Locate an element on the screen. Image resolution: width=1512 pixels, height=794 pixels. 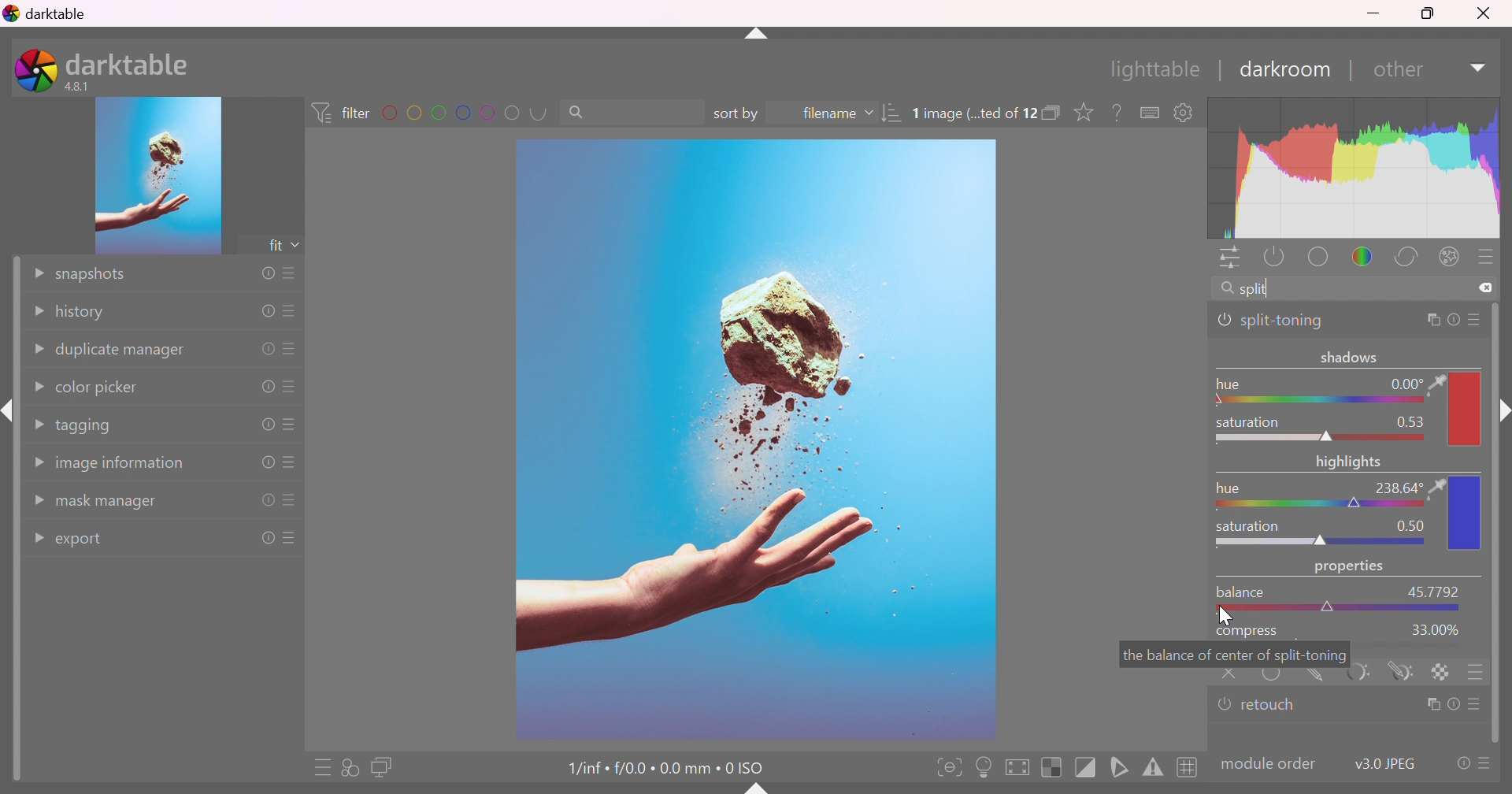
click to change the type of overlays shown on thumbnails is located at coordinates (1084, 113).